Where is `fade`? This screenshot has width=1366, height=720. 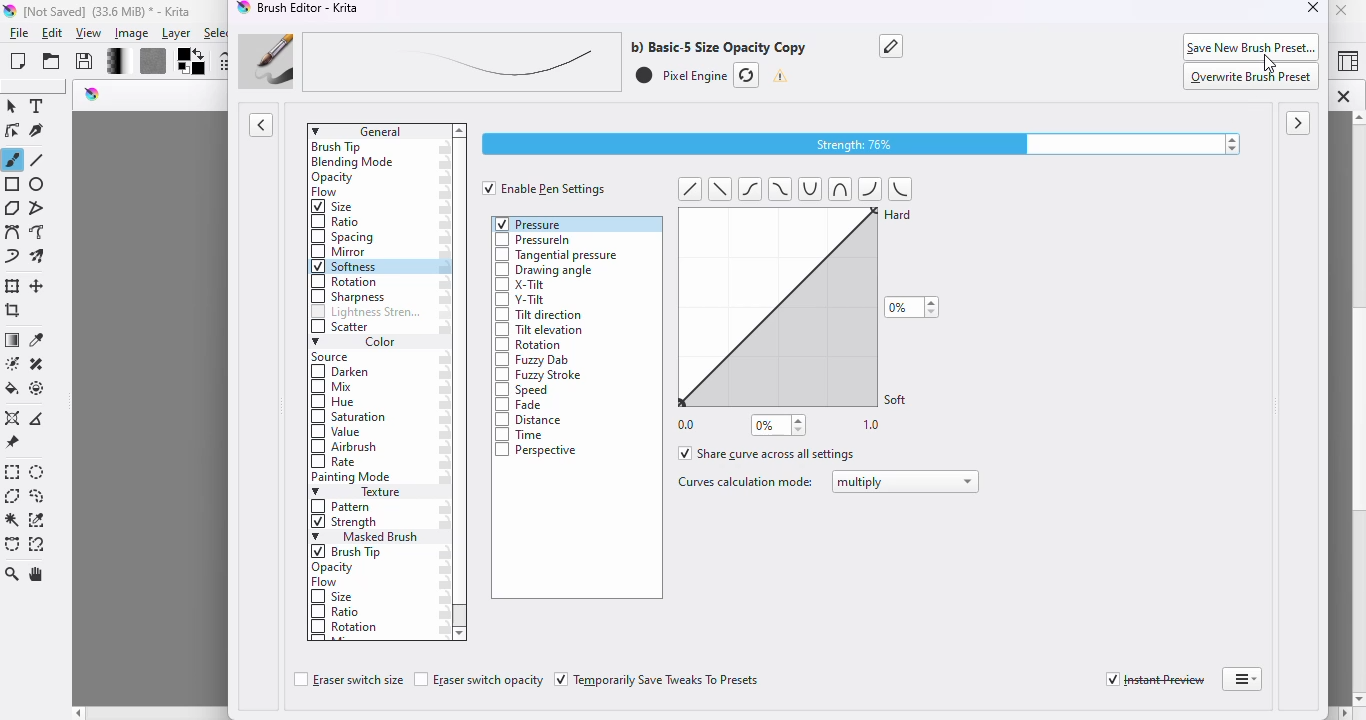
fade is located at coordinates (521, 406).